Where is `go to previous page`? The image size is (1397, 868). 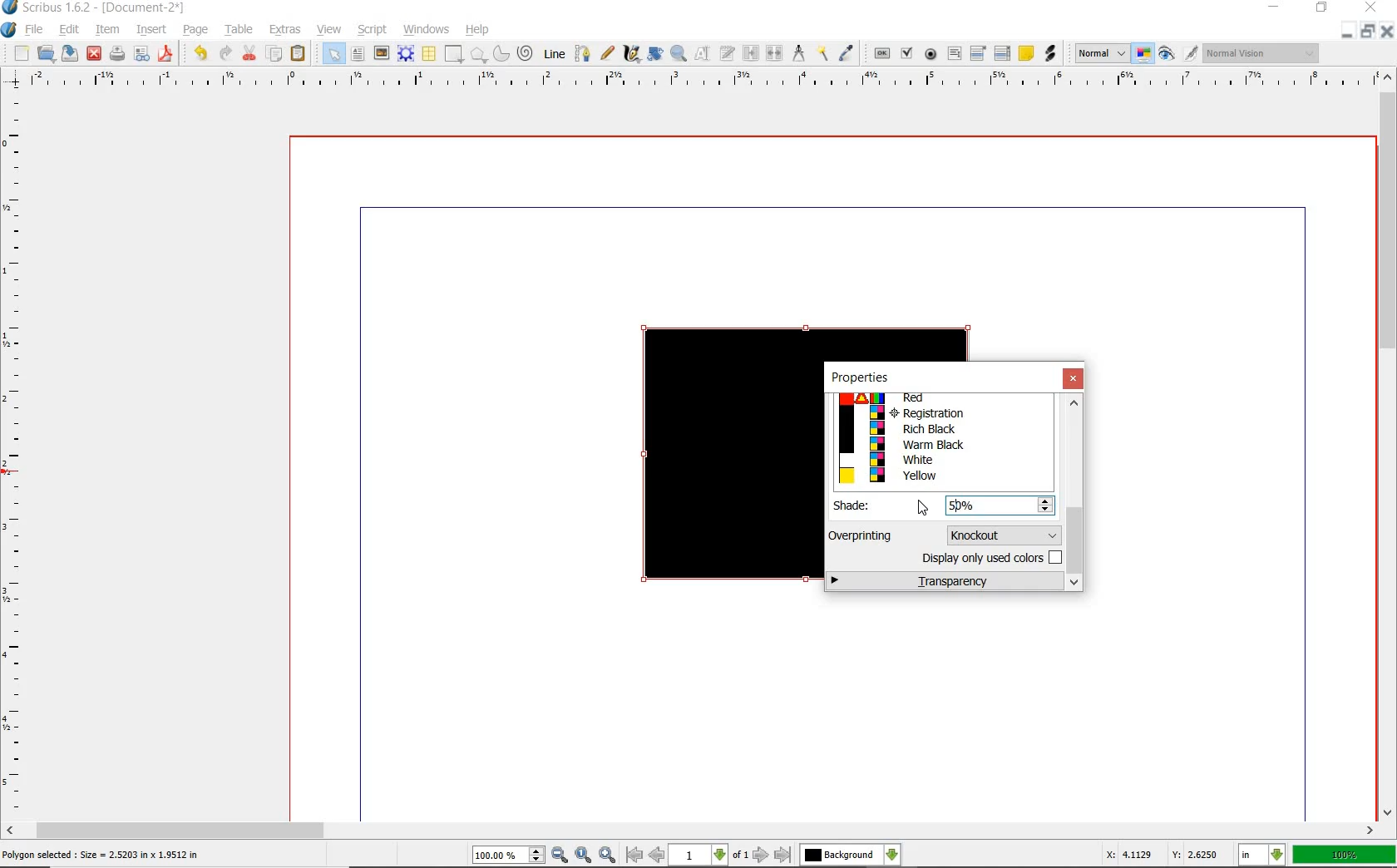
go to previous page is located at coordinates (657, 856).